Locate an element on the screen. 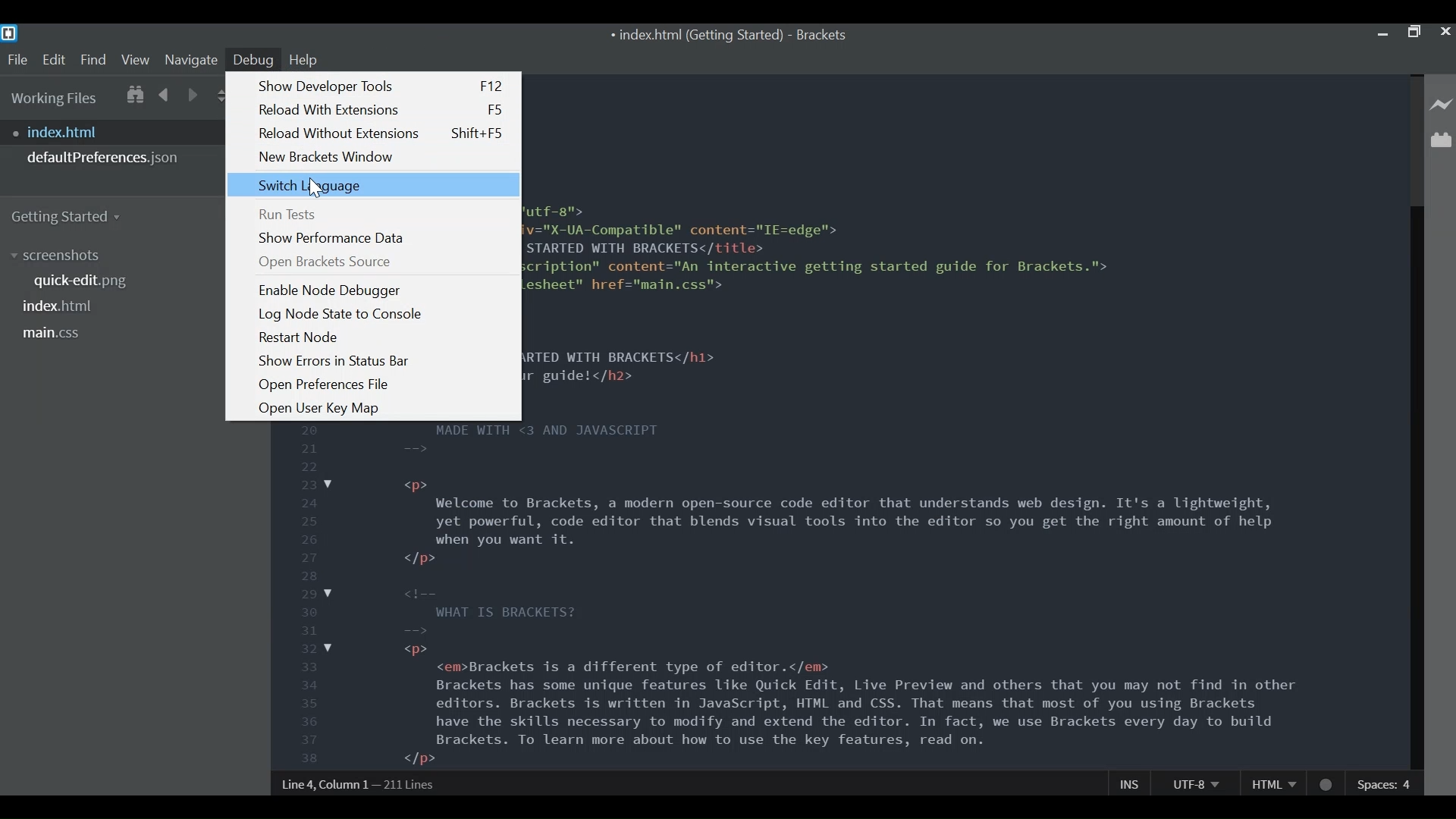 Image resolution: width=1456 pixels, height=819 pixels. Run Tests is located at coordinates (289, 215).